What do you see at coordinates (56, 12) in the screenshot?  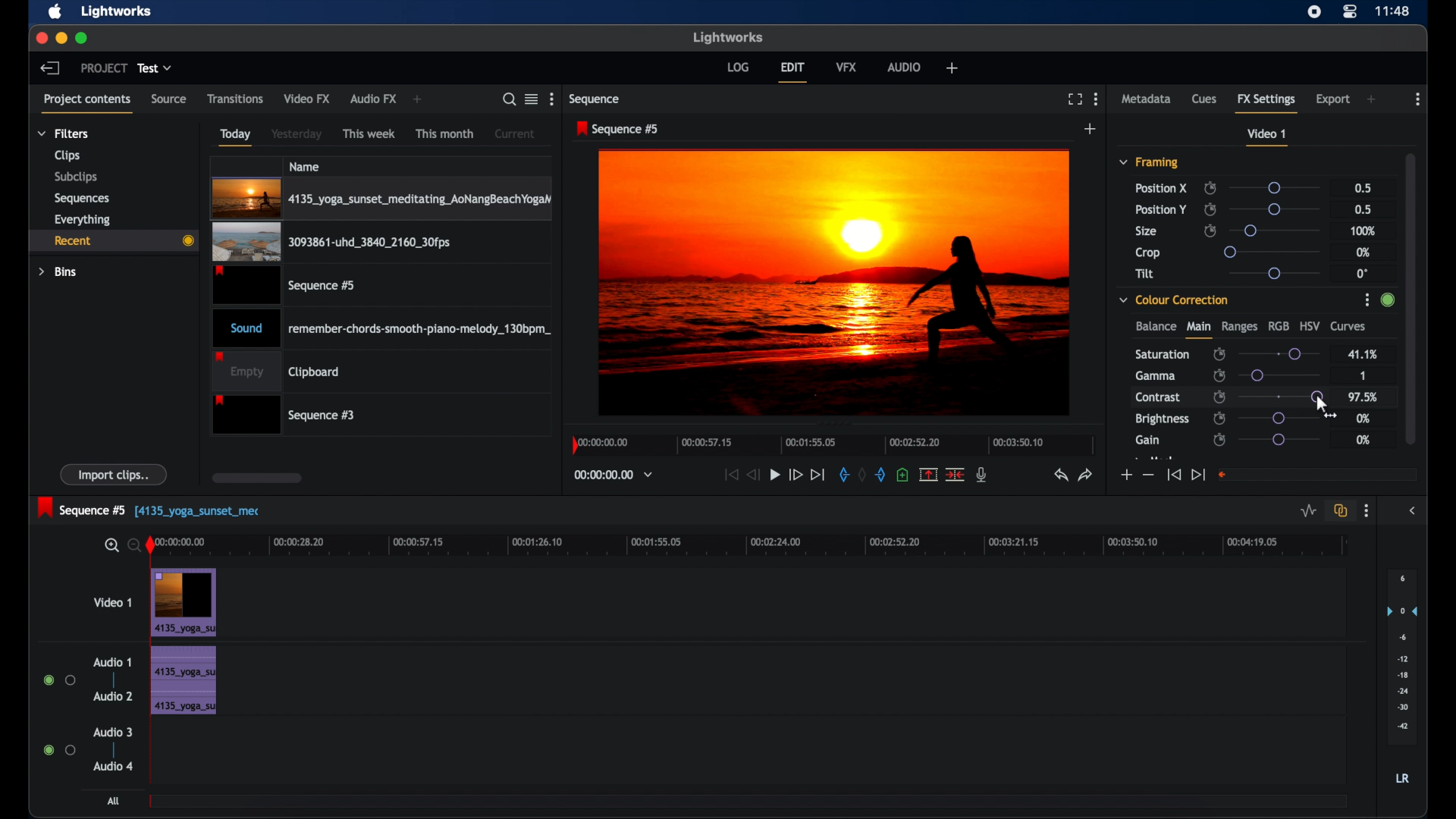 I see `apple icon` at bounding box center [56, 12].